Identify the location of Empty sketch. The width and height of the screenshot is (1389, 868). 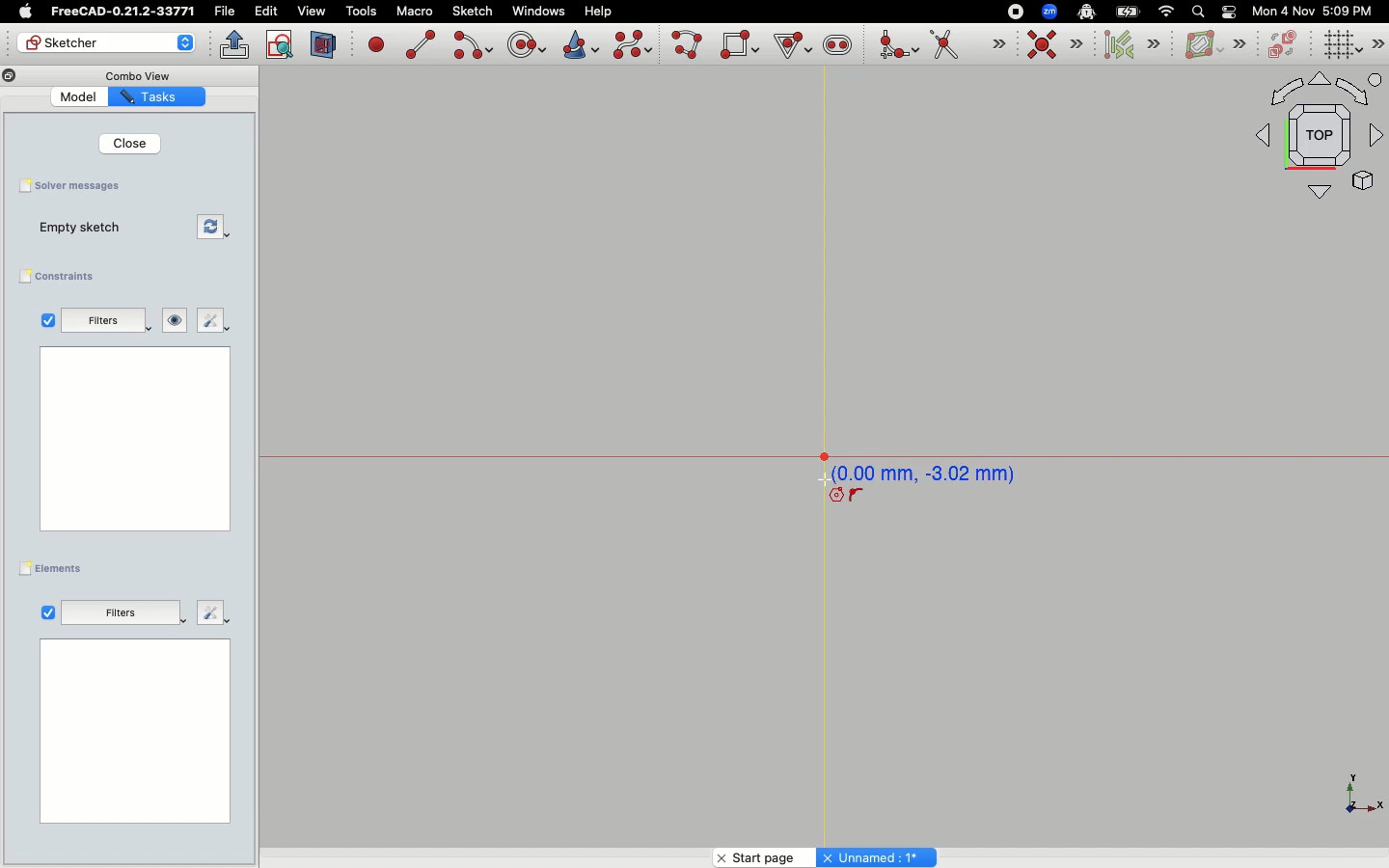
(83, 229).